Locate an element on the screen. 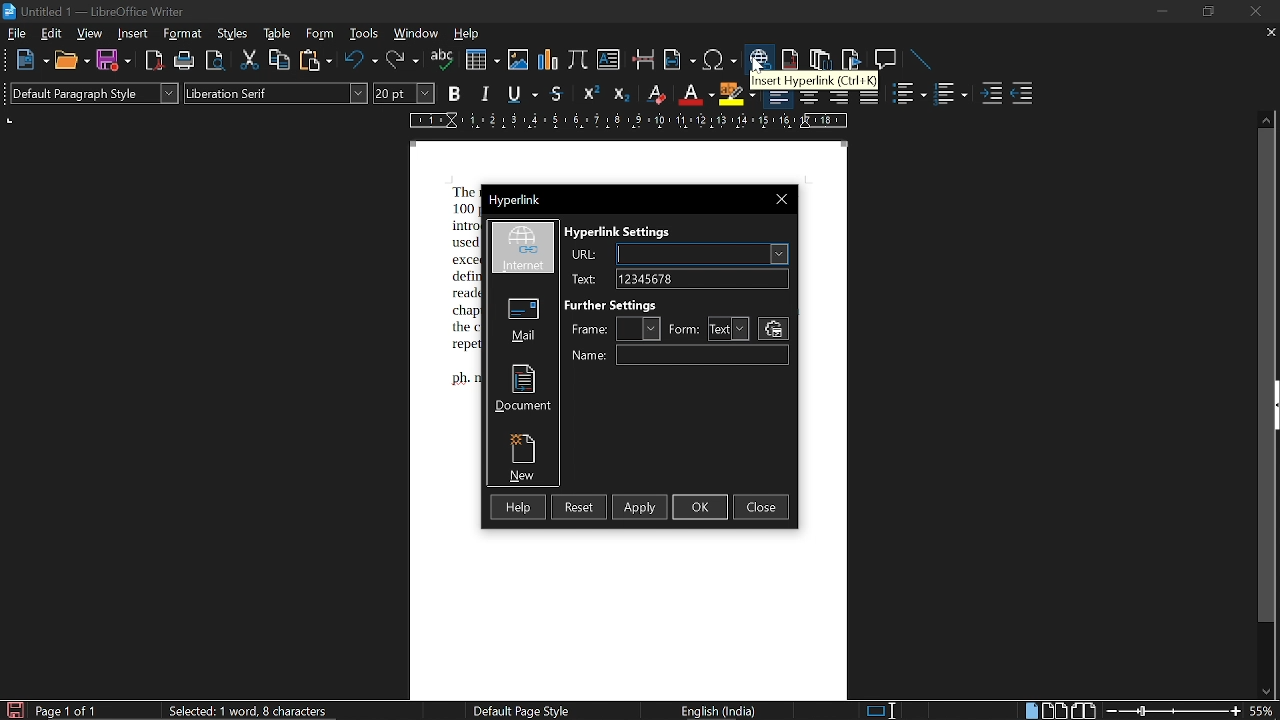  insert formula is located at coordinates (578, 59).